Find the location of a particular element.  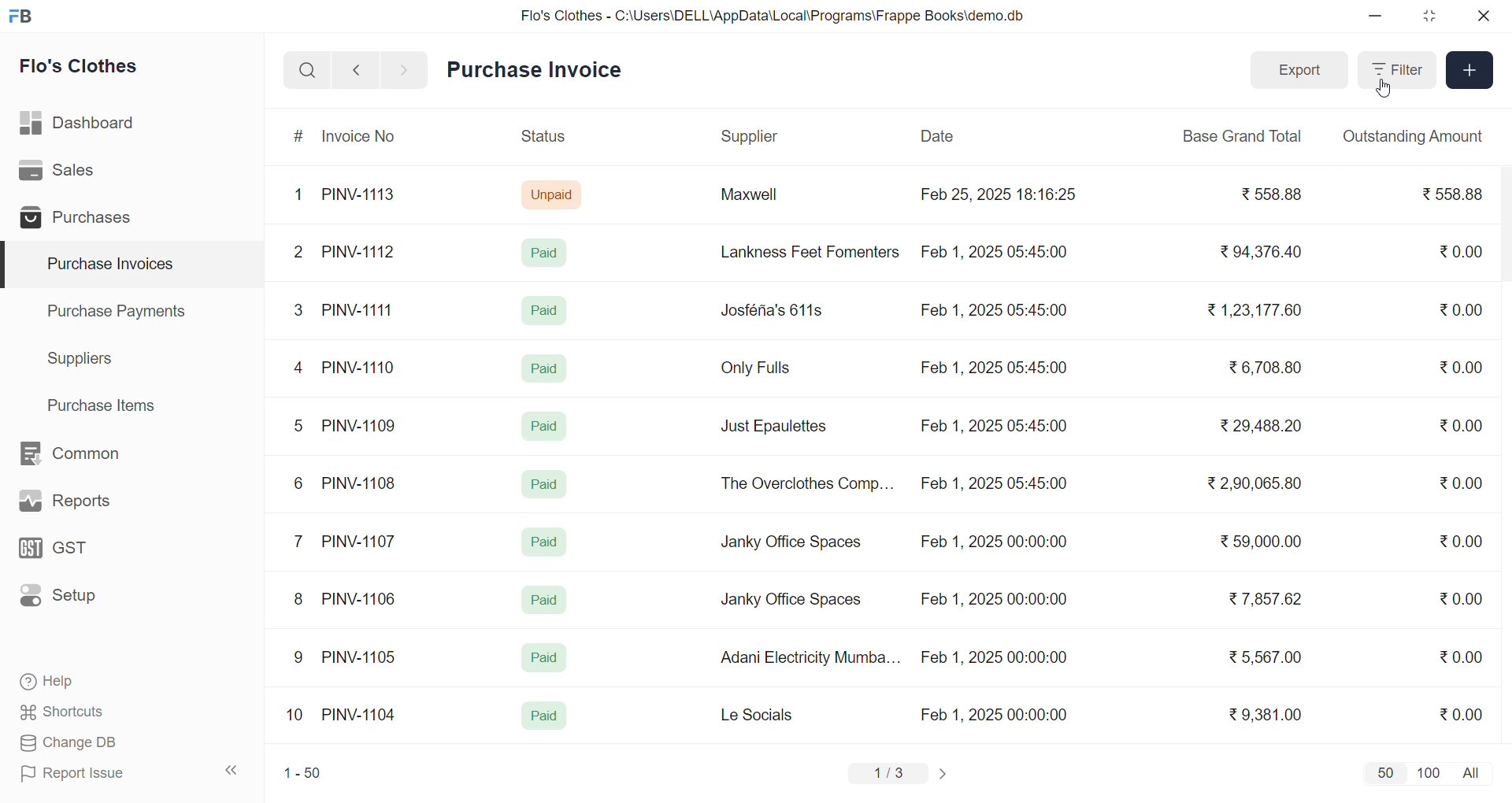

Lankness Feet Fomenters is located at coordinates (800, 252).